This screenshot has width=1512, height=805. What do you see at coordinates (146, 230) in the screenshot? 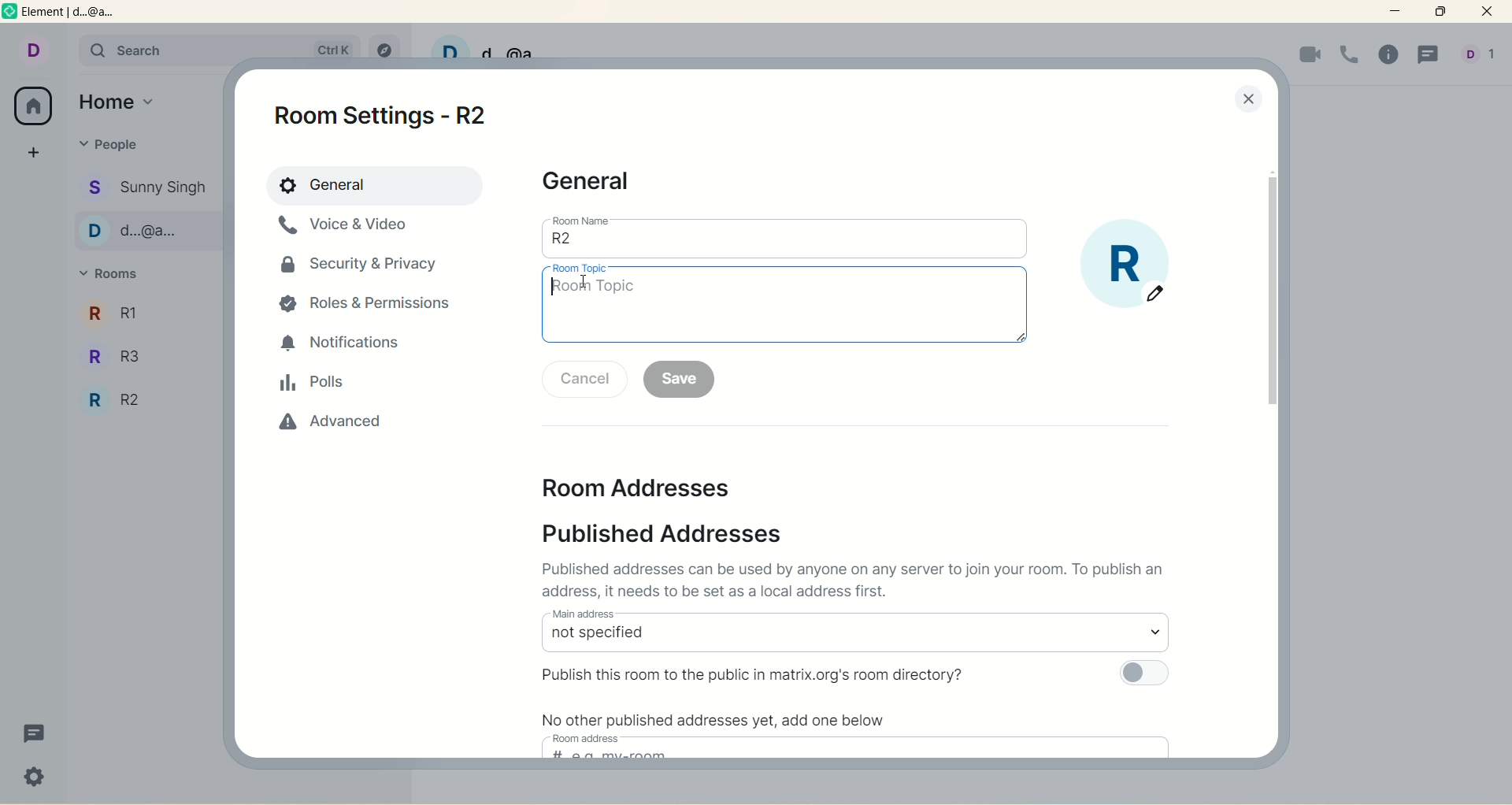
I see `d...@...` at bounding box center [146, 230].